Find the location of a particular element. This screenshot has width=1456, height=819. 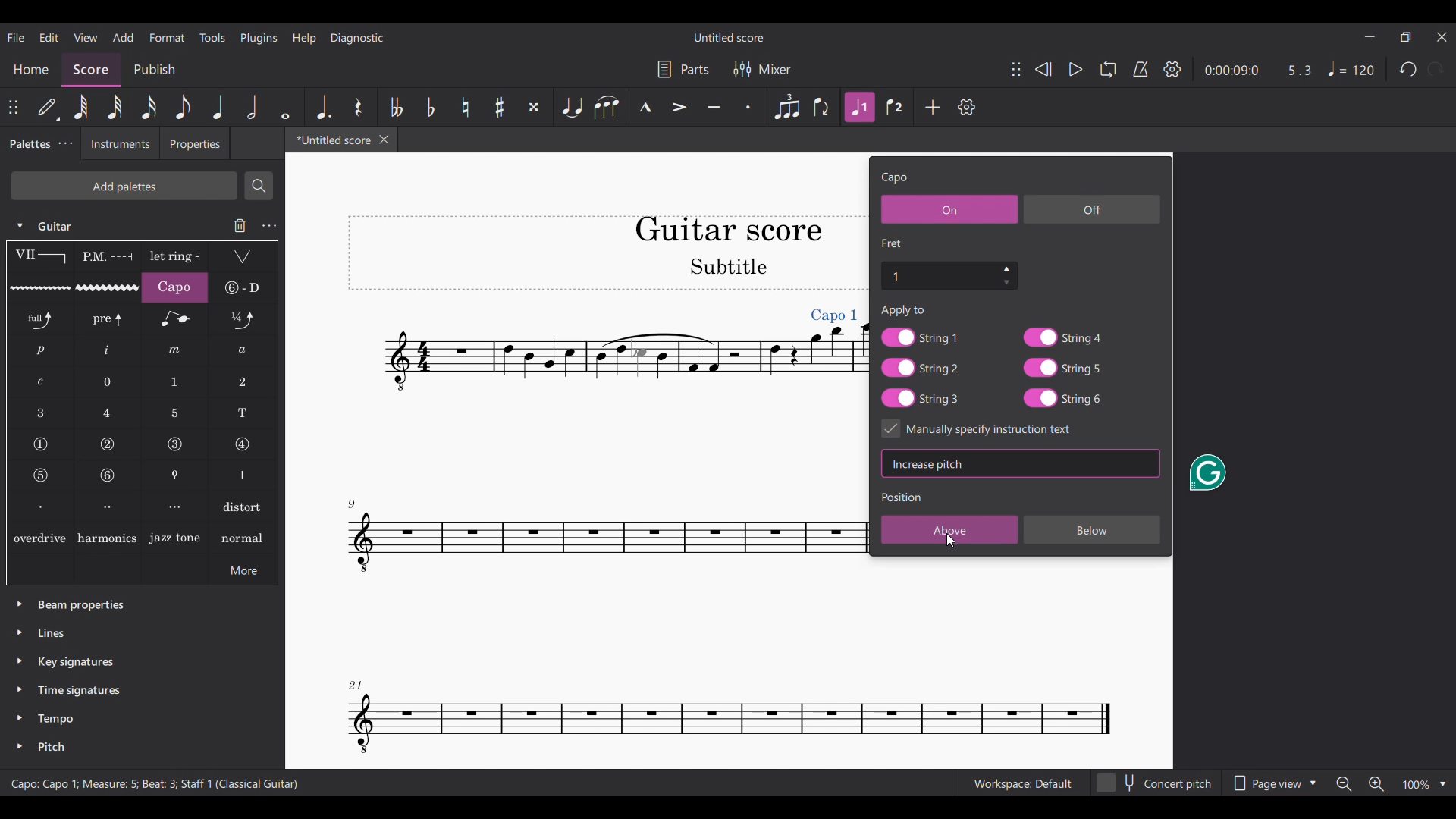

Score is located at coordinates (92, 70).